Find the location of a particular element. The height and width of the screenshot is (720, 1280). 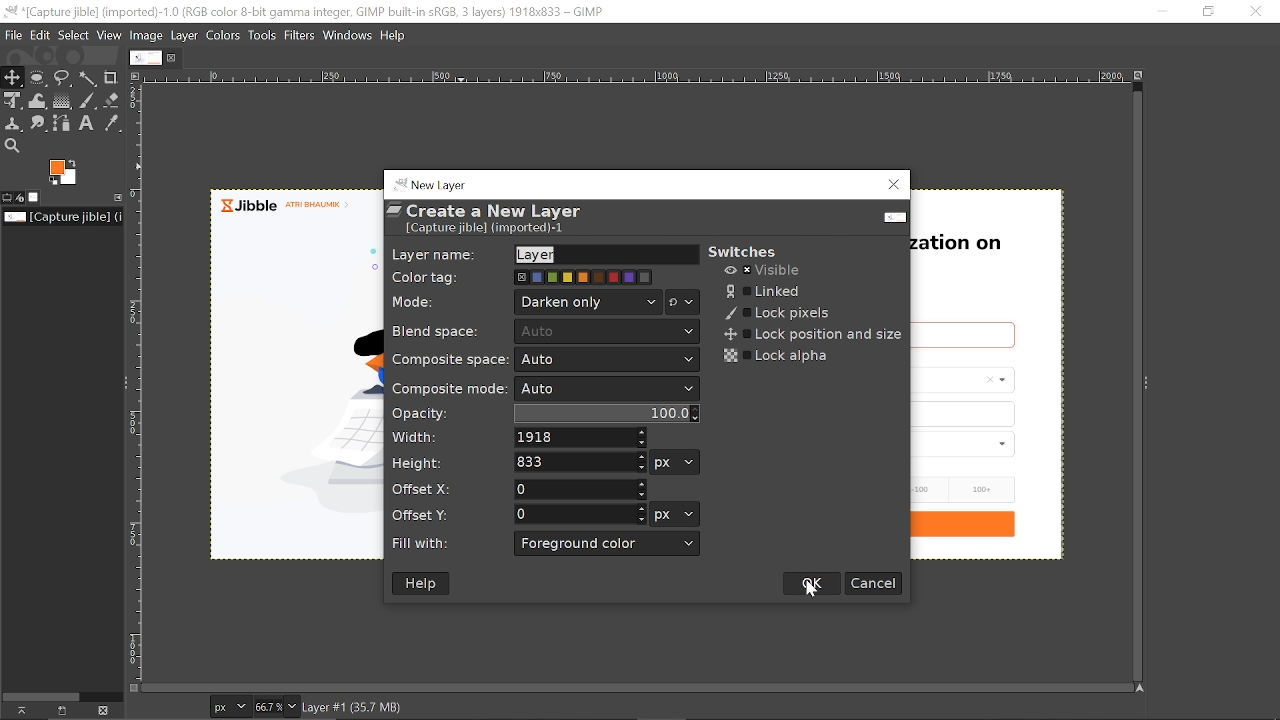

Composite space is located at coordinates (609, 360).